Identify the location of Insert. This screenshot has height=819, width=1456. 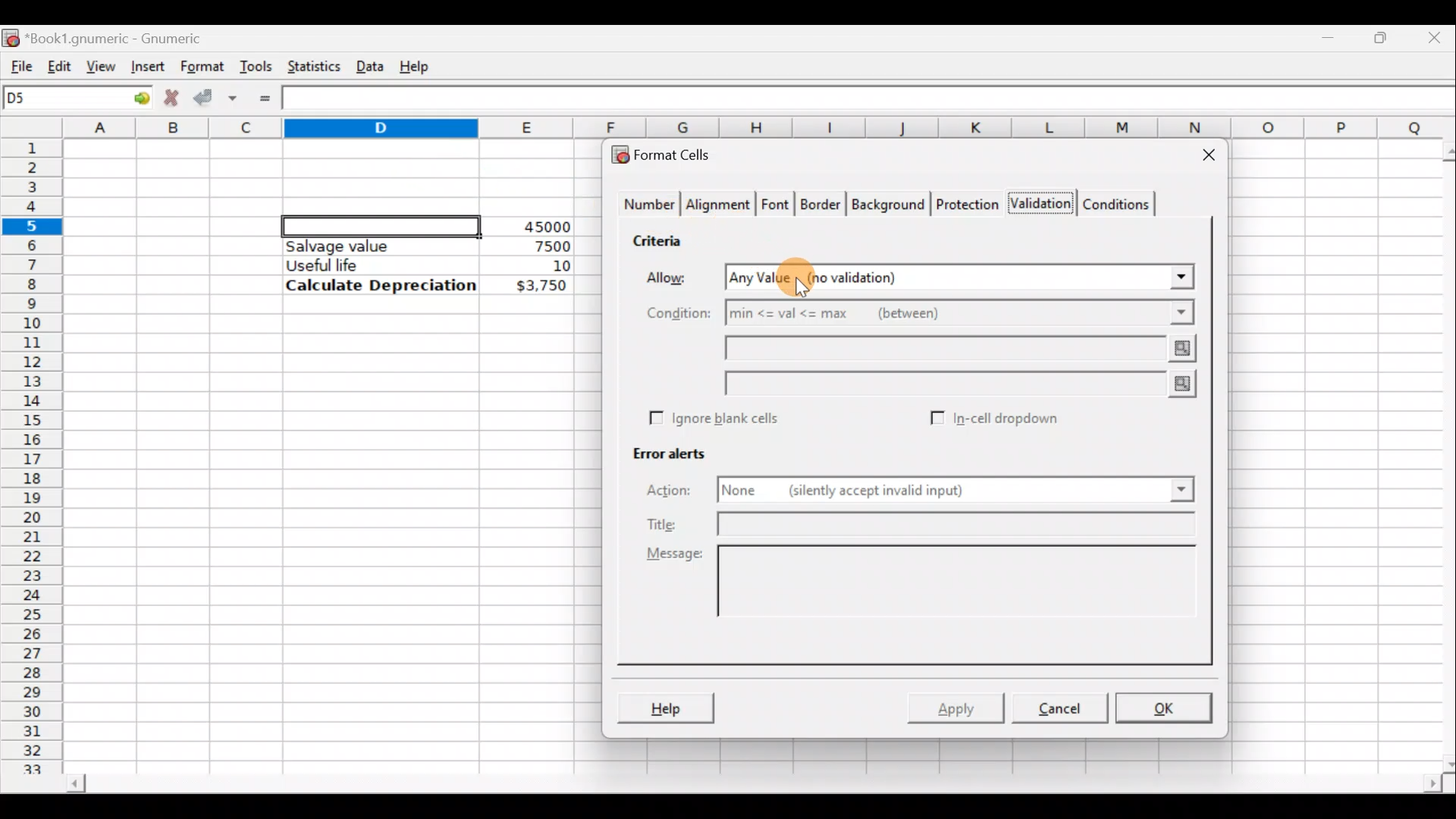
(146, 66).